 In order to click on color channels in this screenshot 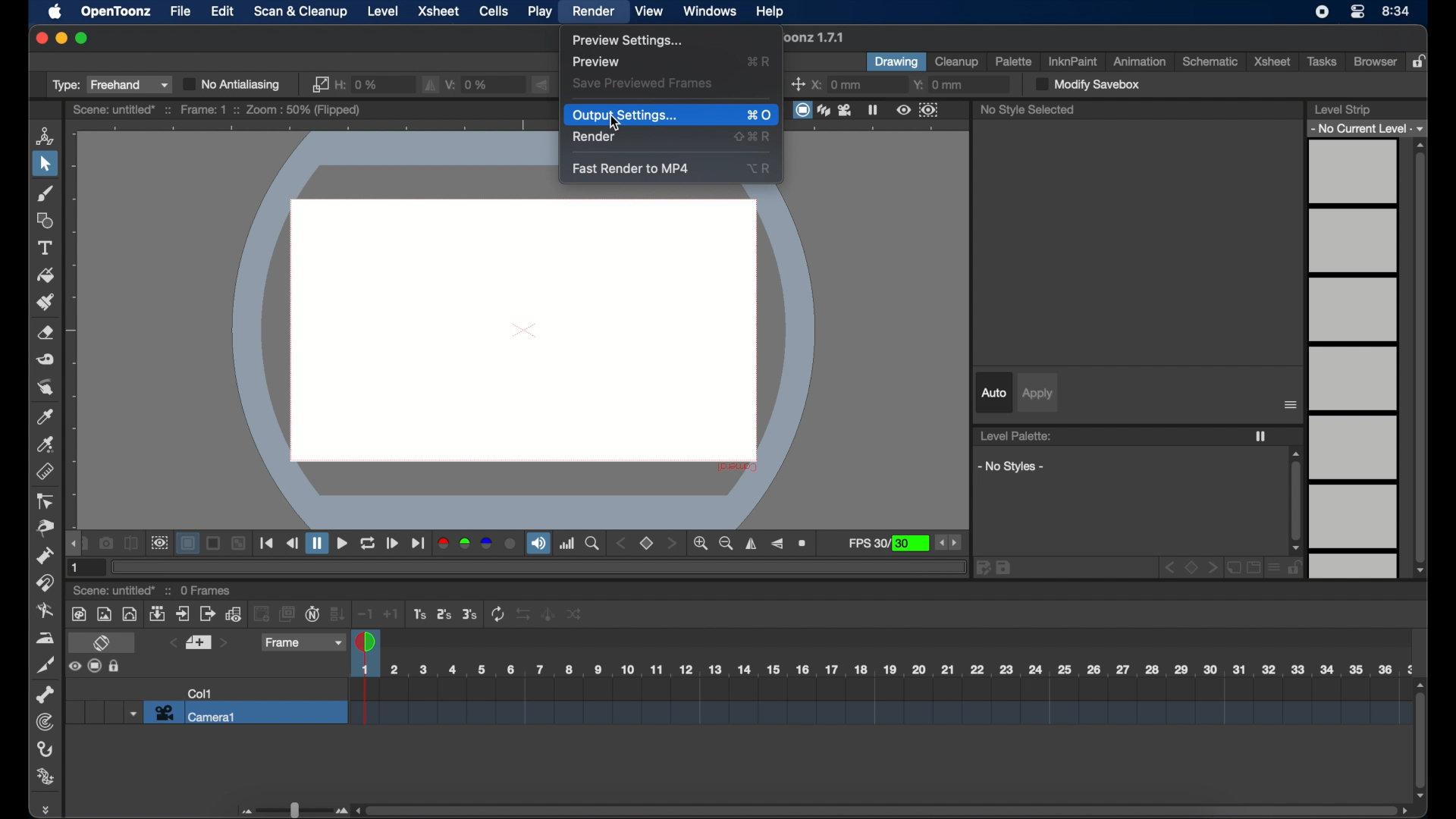, I will do `click(477, 544)`.